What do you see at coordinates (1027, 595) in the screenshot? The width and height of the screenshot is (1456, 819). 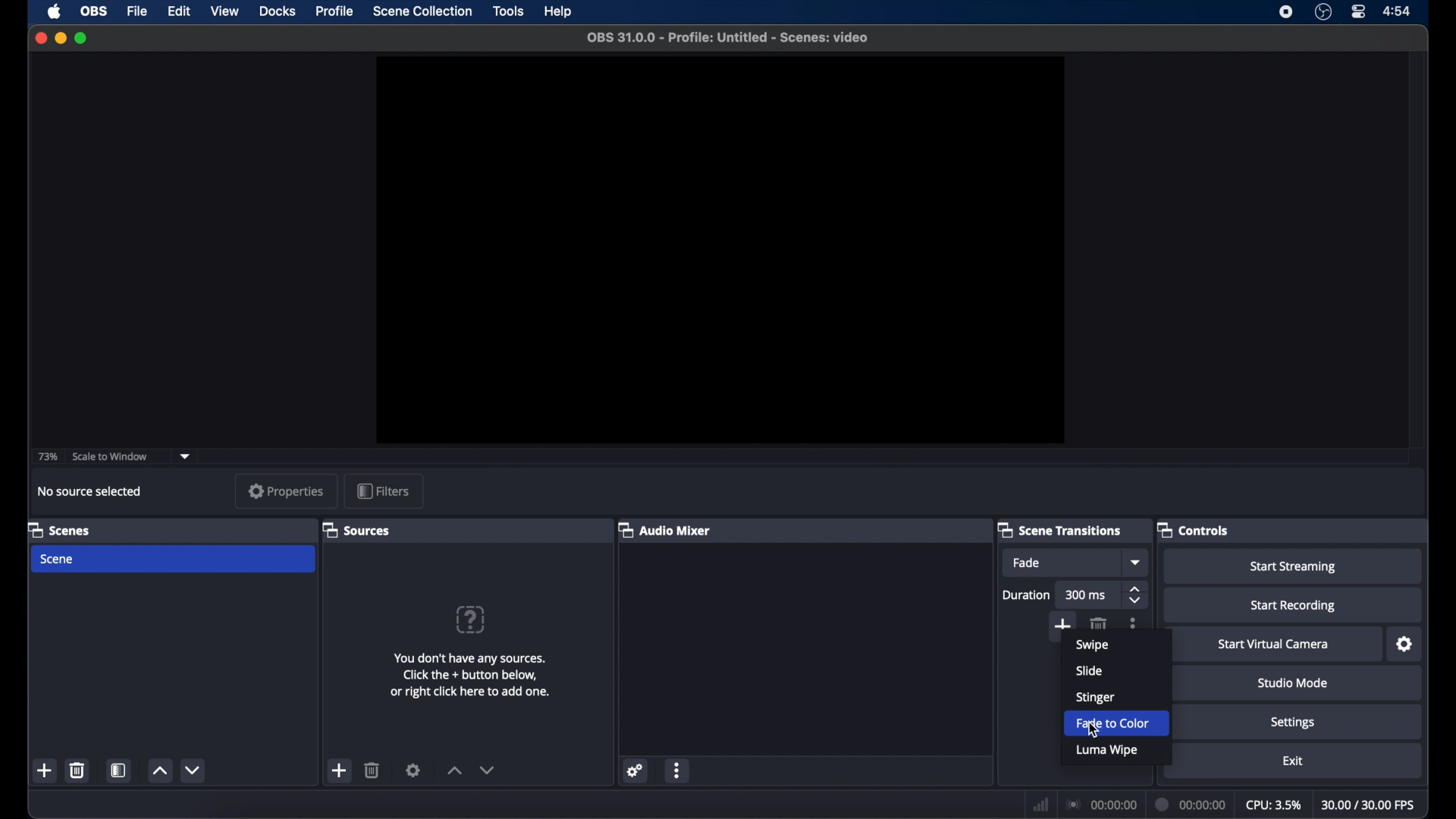 I see `duration` at bounding box center [1027, 595].